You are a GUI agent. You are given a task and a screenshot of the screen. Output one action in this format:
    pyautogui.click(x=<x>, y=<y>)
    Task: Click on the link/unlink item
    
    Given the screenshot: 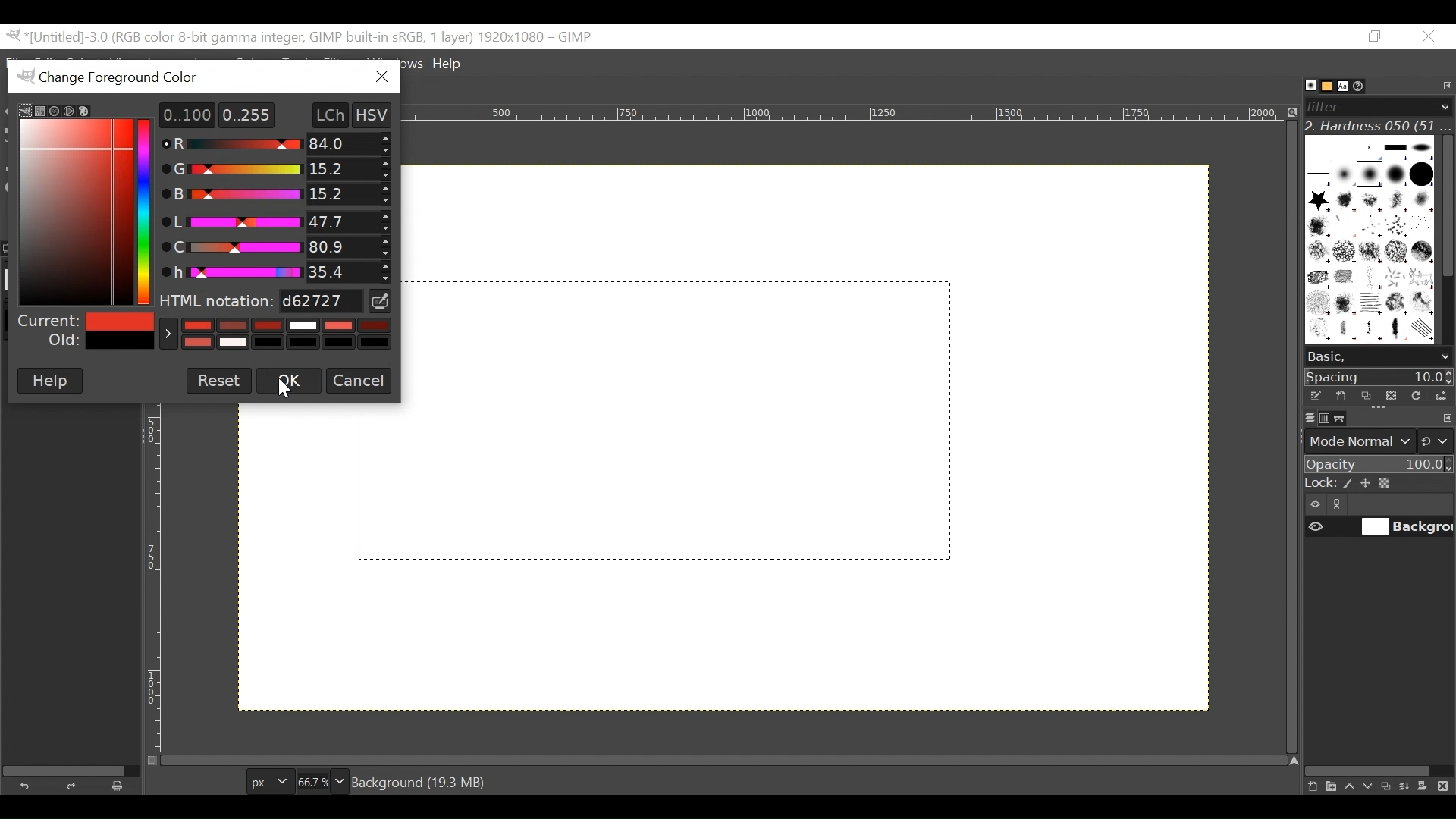 What is the action you would take?
    pyautogui.click(x=1341, y=507)
    